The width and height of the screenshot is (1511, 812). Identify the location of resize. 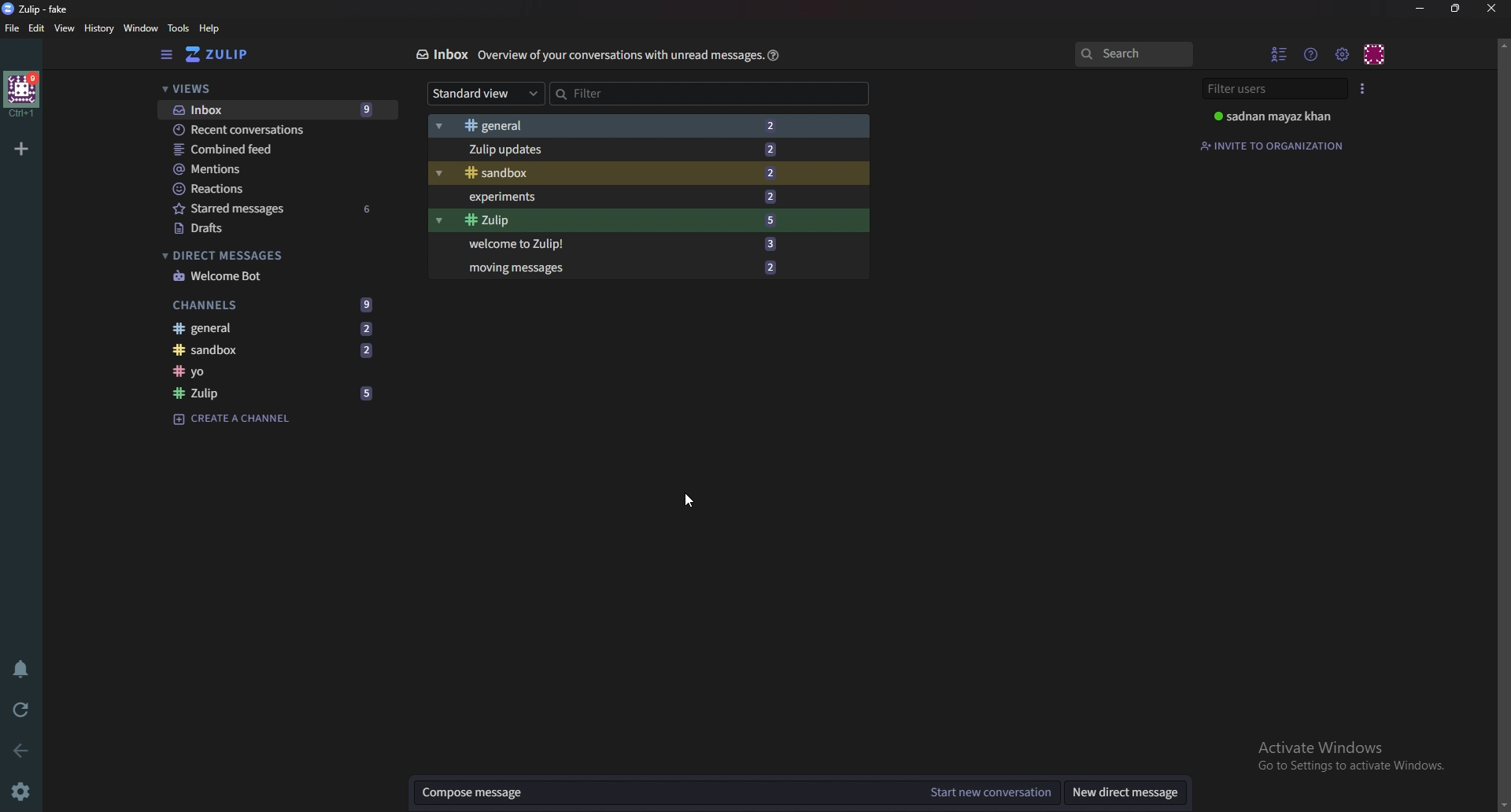
(1457, 9).